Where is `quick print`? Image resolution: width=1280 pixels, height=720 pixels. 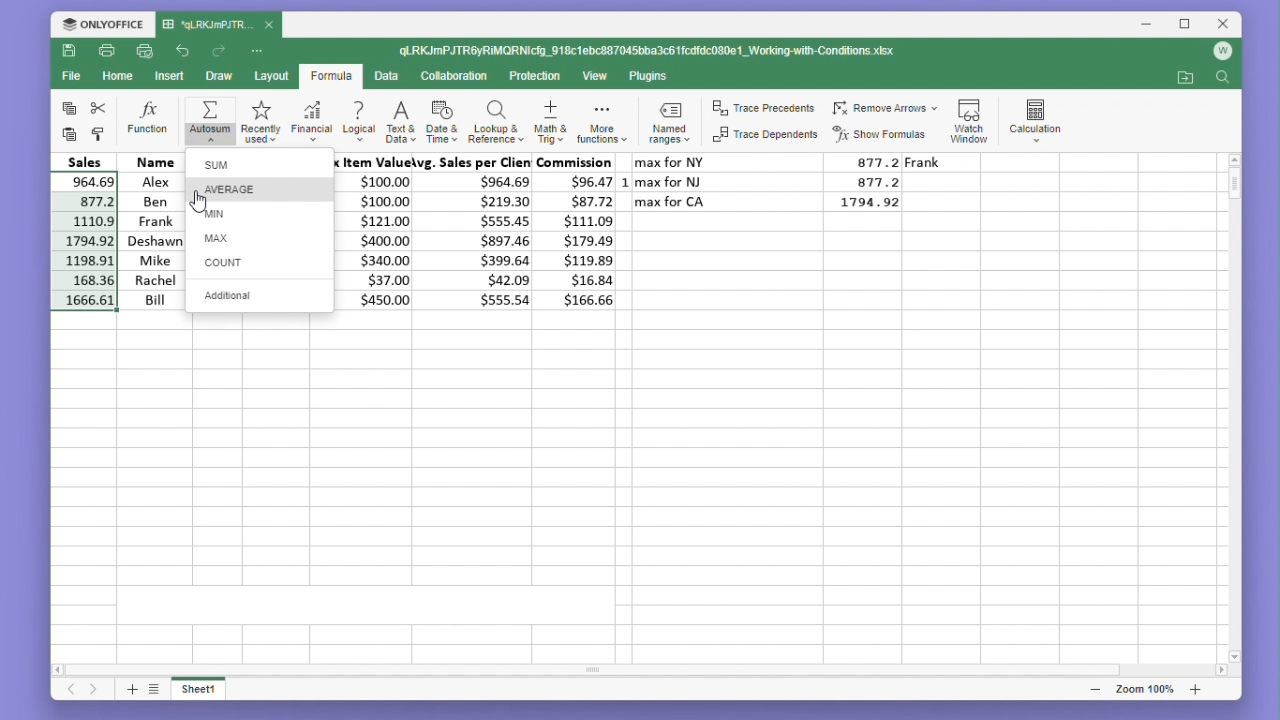
quick print is located at coordinates (142, 50).